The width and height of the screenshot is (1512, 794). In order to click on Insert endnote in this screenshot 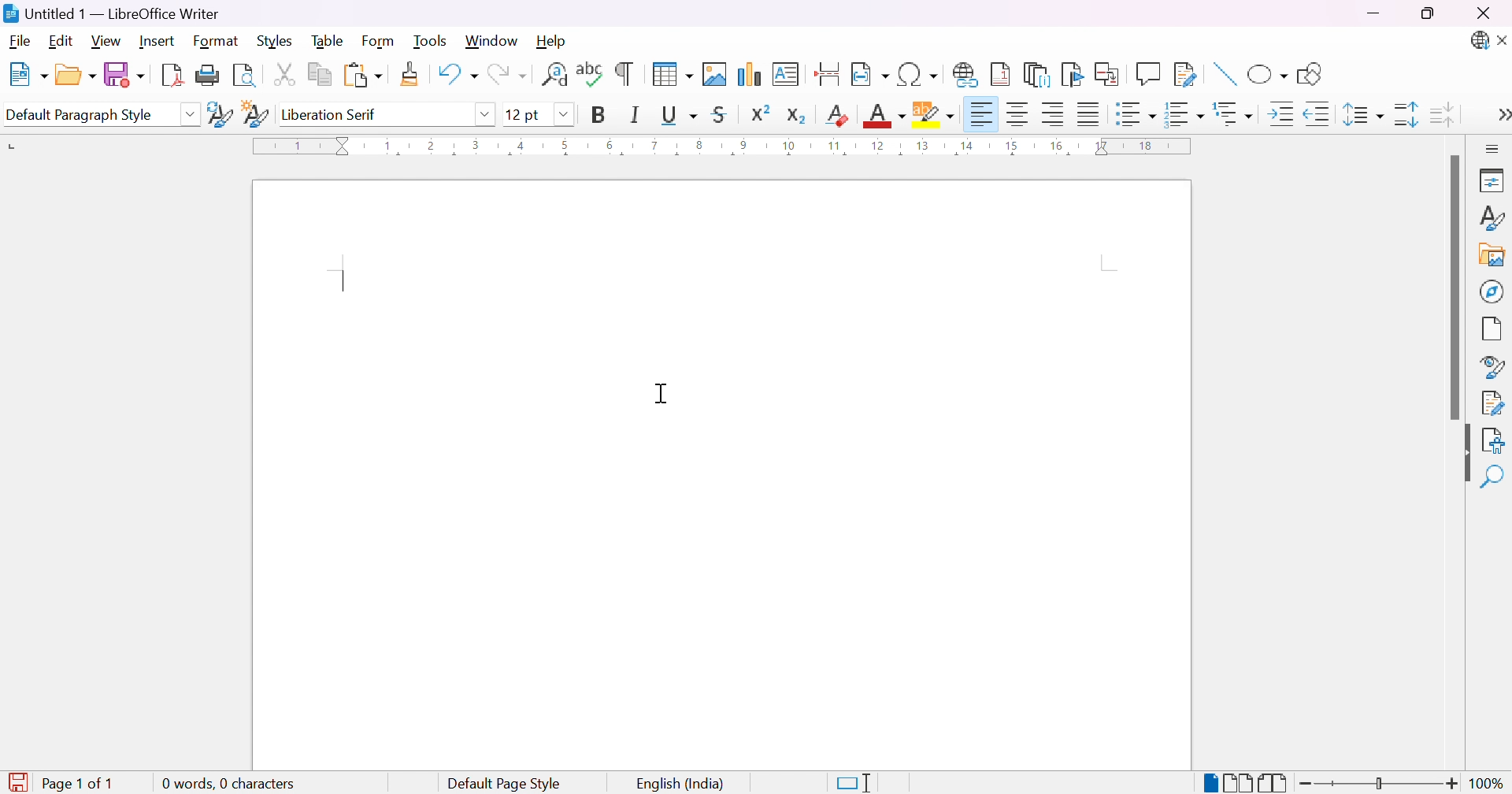, I will do `click(1037, 75)`.